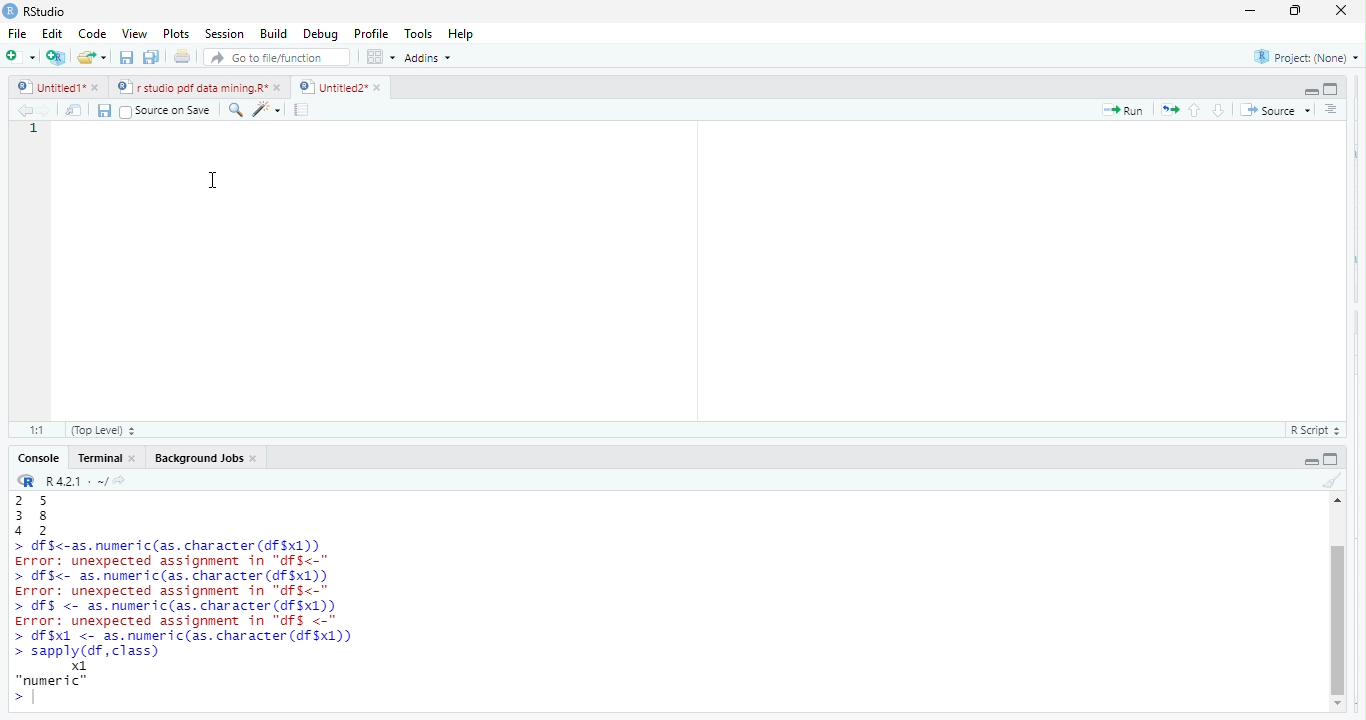 Image resolution: width=1366 pixels, height=720 pixels. I want to click on r studio, so click(46, 11).